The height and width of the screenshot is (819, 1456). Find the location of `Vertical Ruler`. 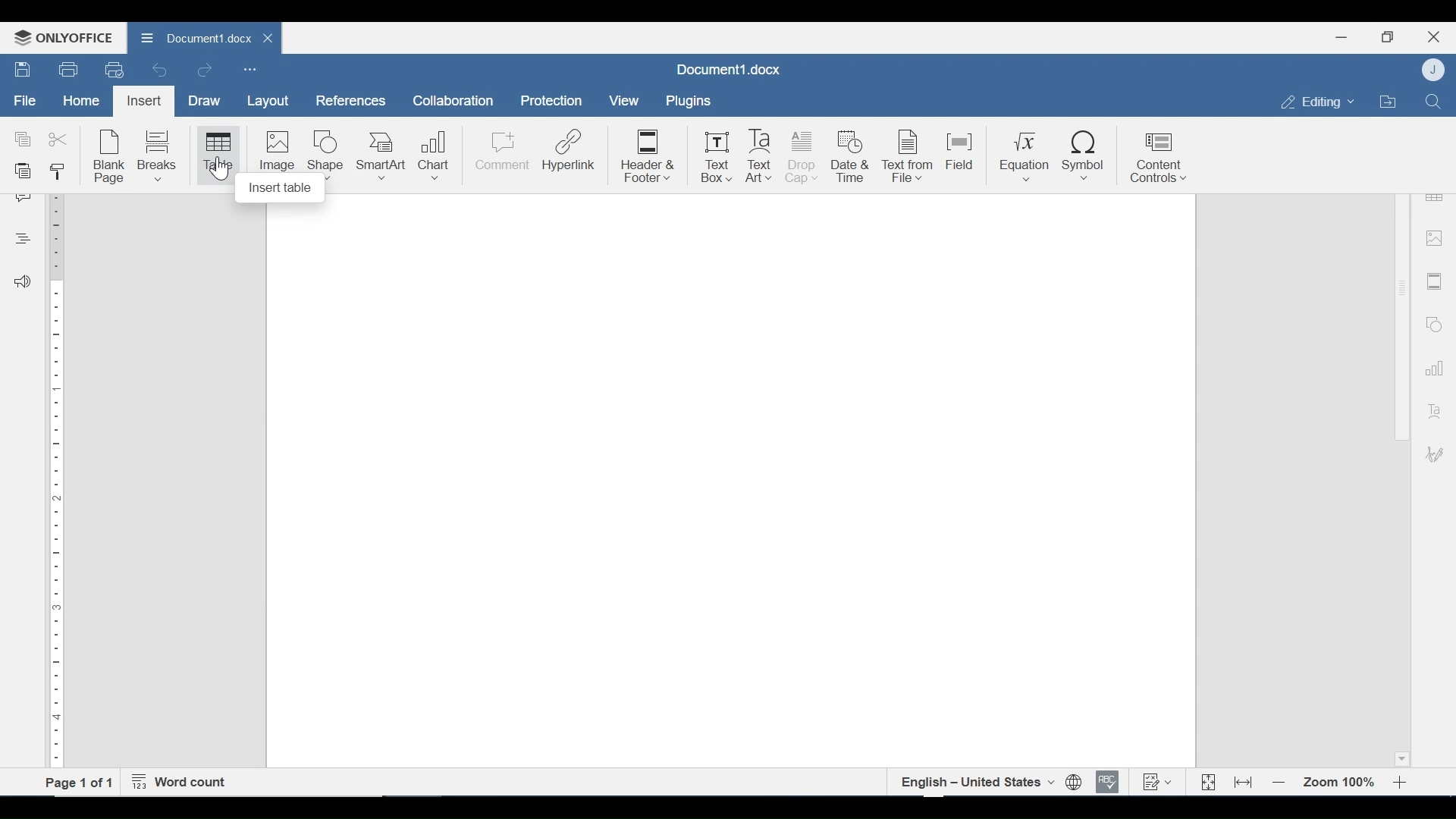

Vertical Ruler is located at coordinates (58, 477).